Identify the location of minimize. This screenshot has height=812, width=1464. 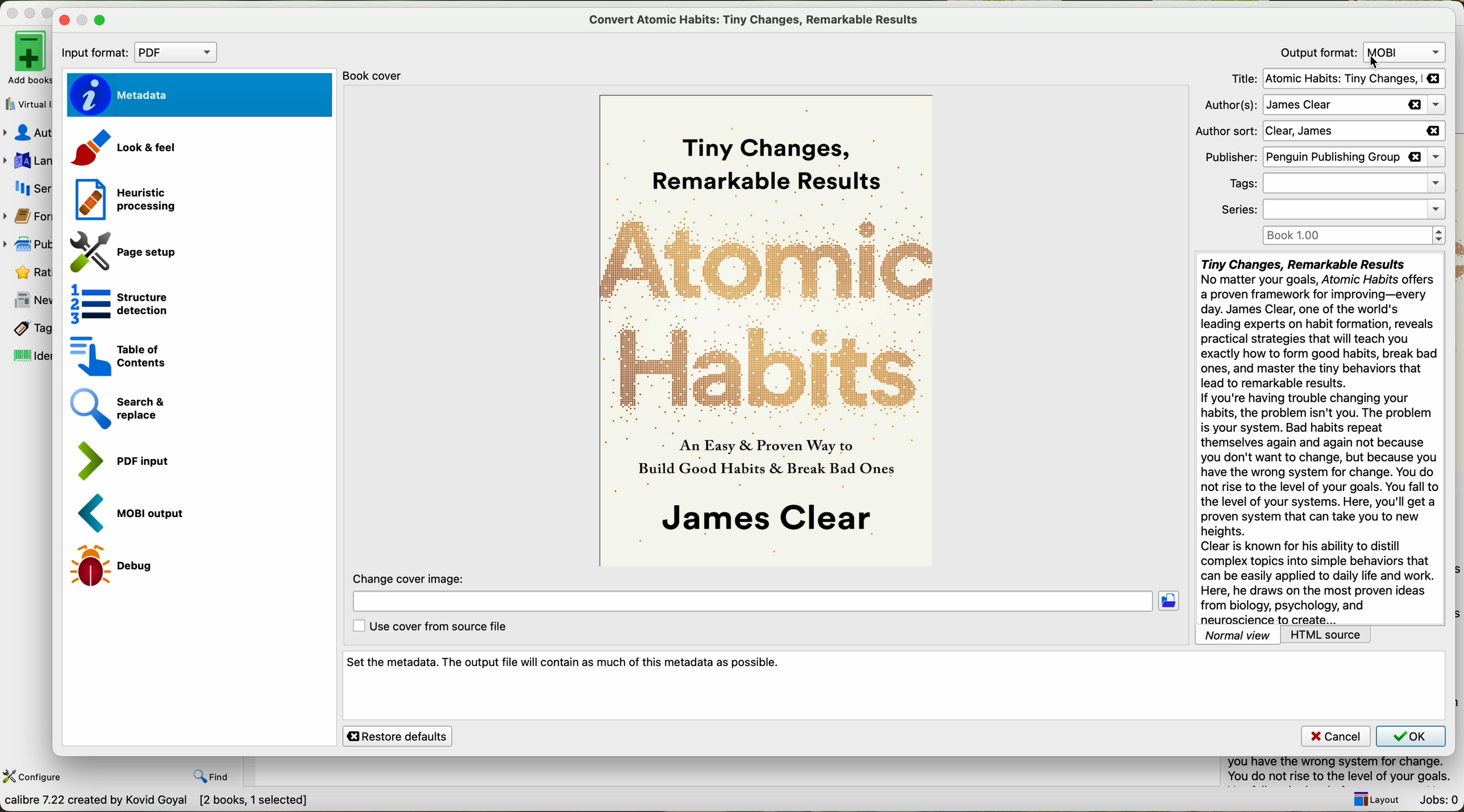
(30, 11).